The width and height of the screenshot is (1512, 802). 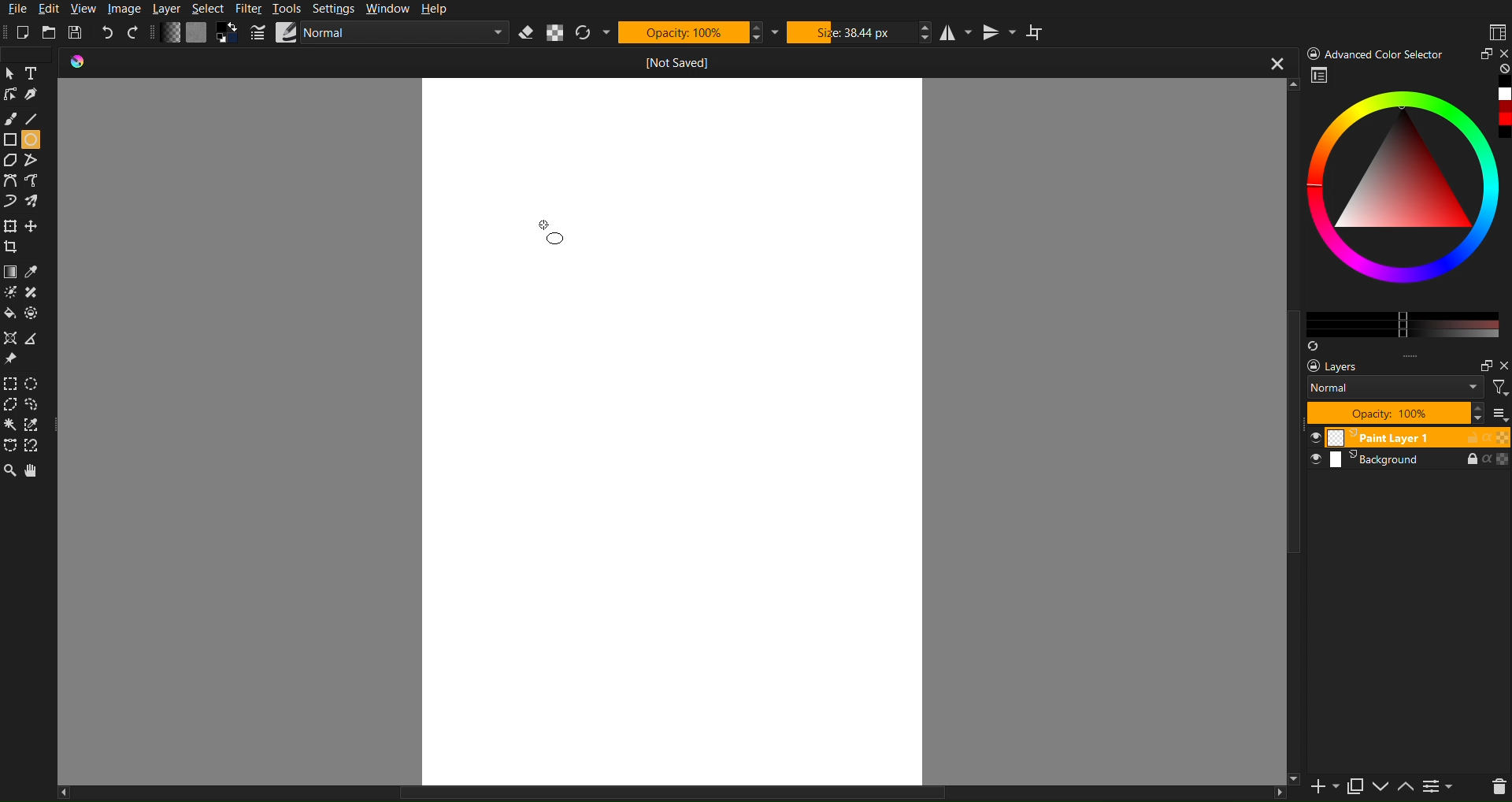 What do you see at coordinates (212, 9) in the screenshot?
I see `Select` at bounding box center [212, 9].